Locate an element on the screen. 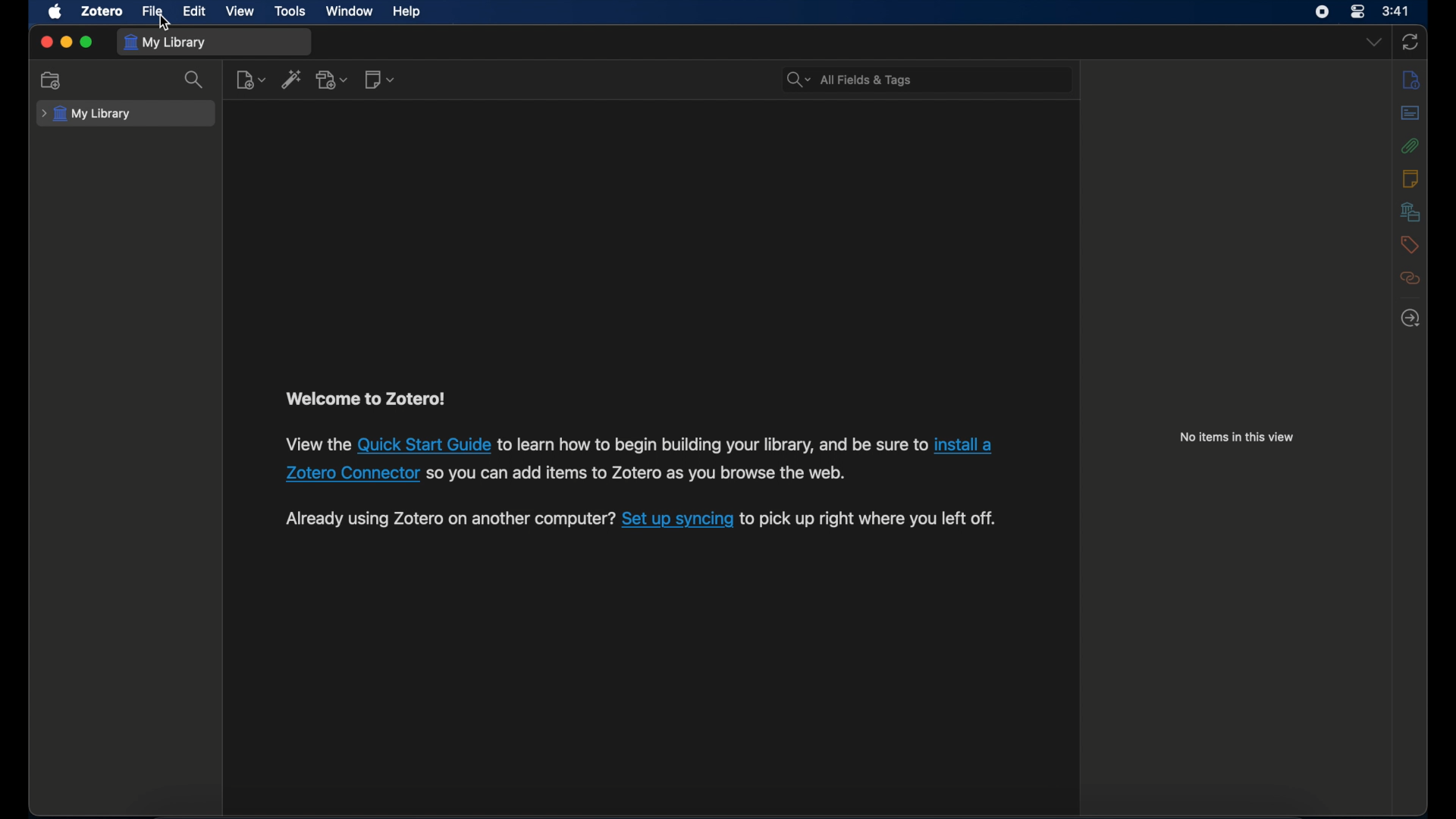  no items in this view is located at coordinates (1241, 437).